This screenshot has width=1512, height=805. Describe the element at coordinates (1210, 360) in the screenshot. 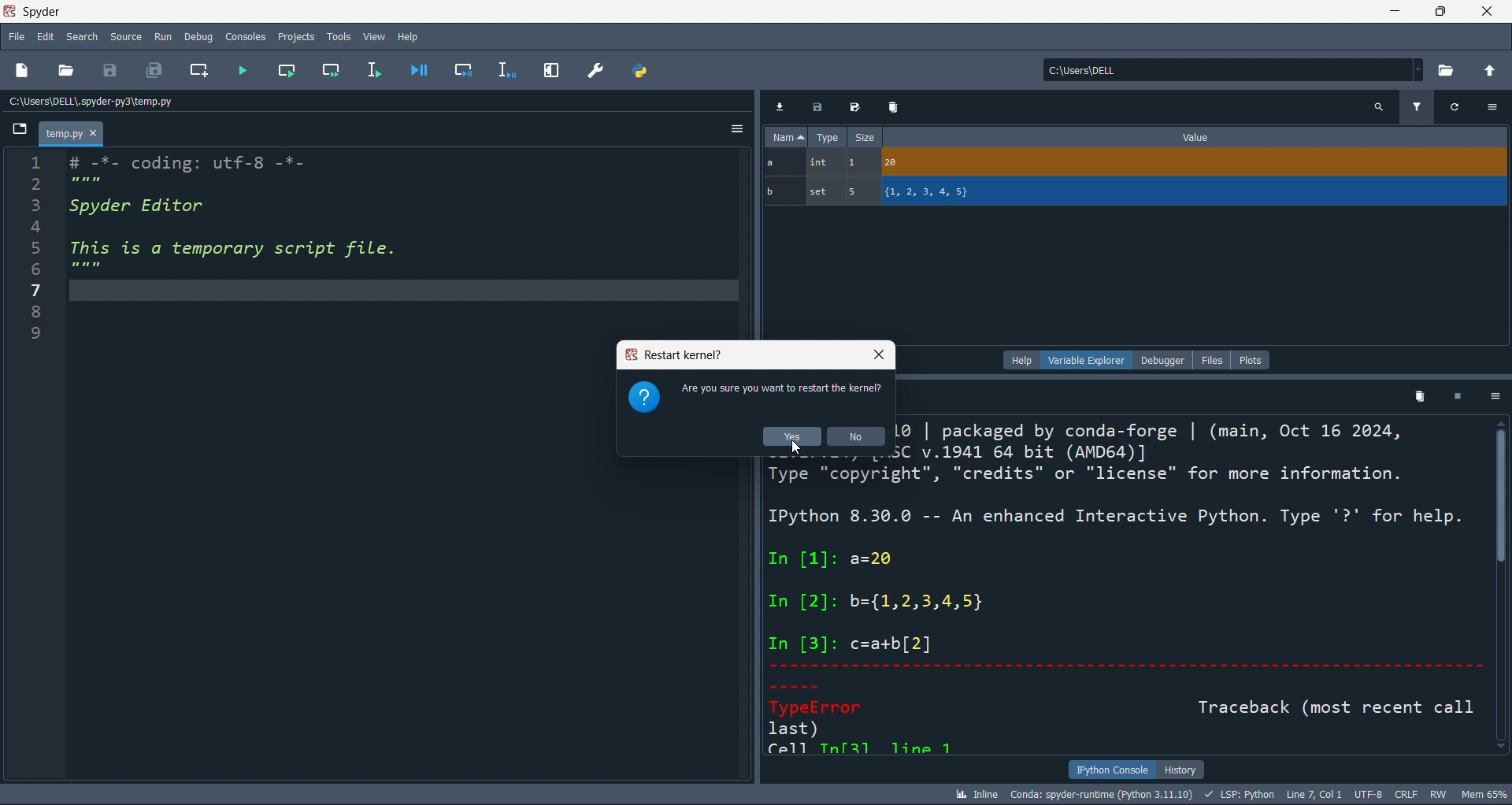

I see `files` at that location.